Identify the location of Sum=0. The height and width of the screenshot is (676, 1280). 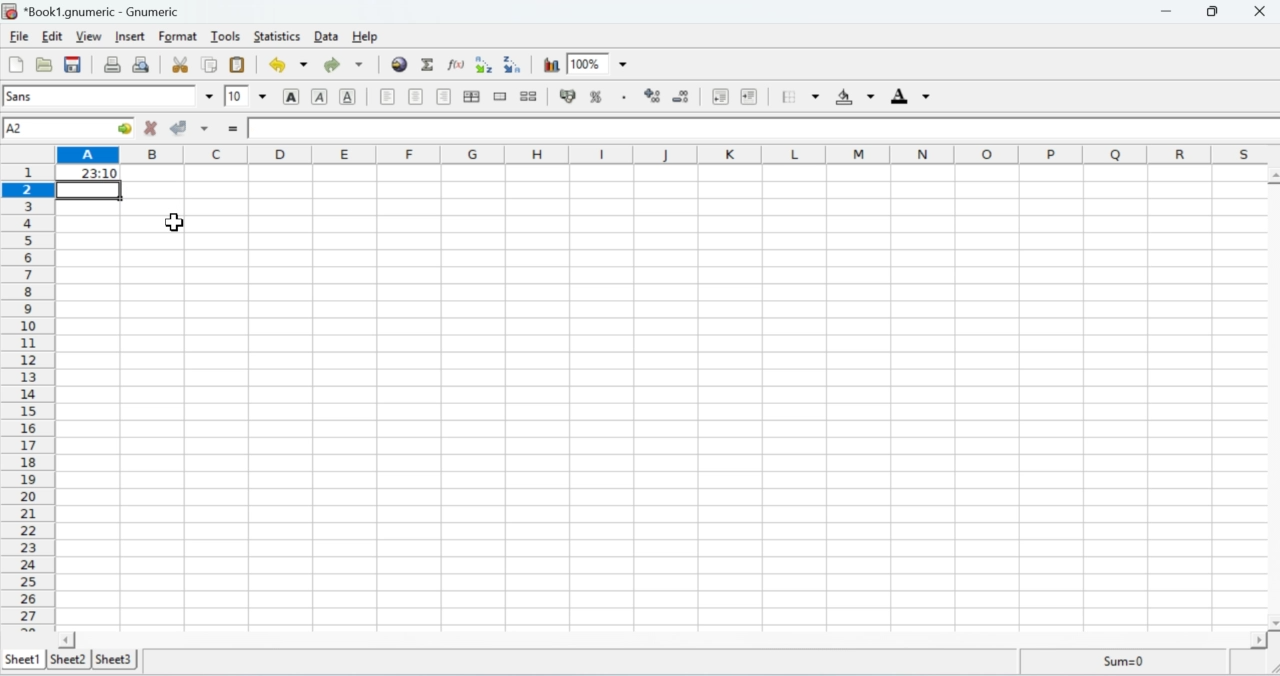
(1136, 662).